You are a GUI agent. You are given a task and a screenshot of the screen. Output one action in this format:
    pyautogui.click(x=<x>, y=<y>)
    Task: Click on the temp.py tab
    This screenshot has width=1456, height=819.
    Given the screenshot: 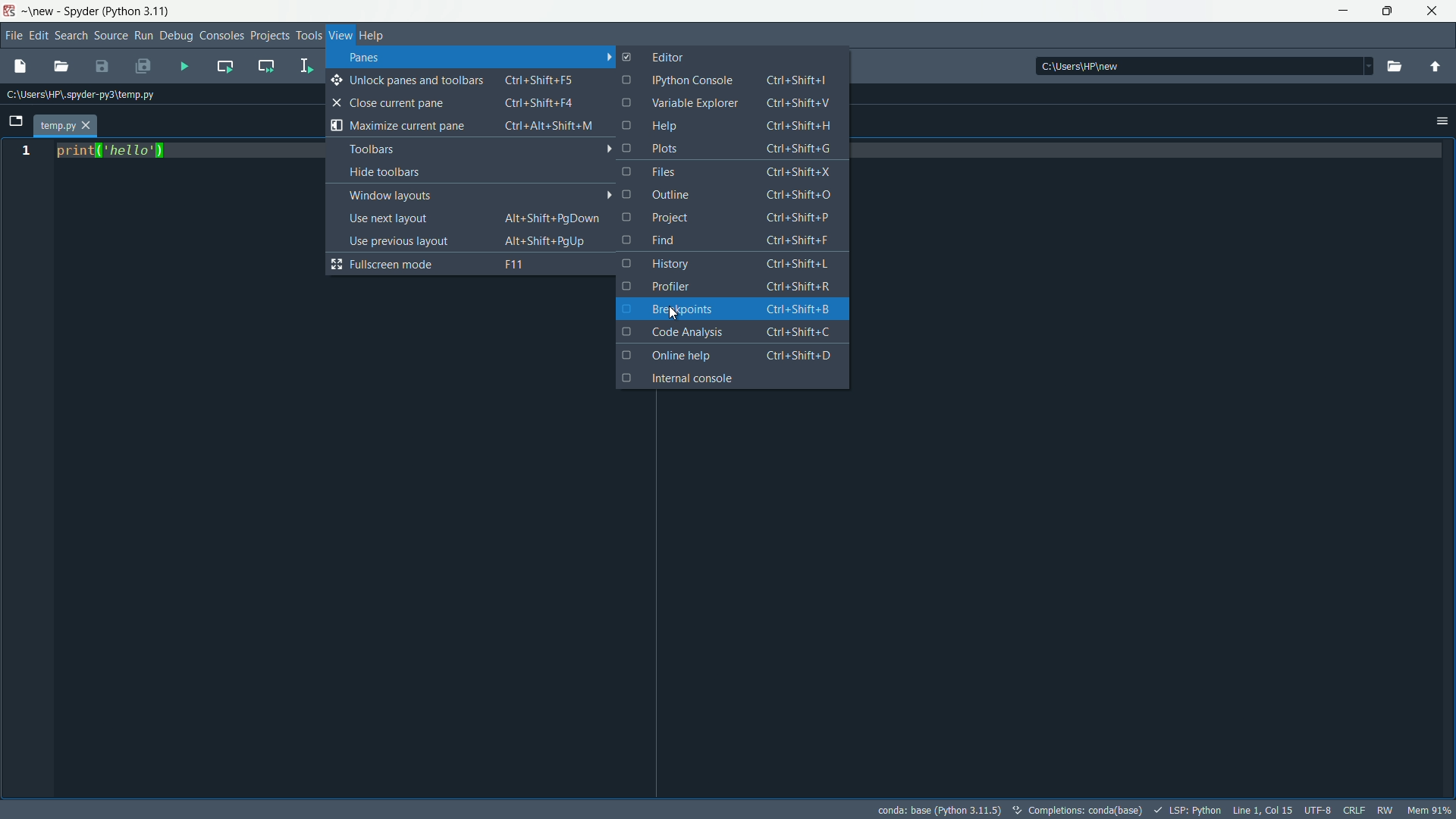 What is the action you would take?
    pyautogui.click(x=66, y=127)
    